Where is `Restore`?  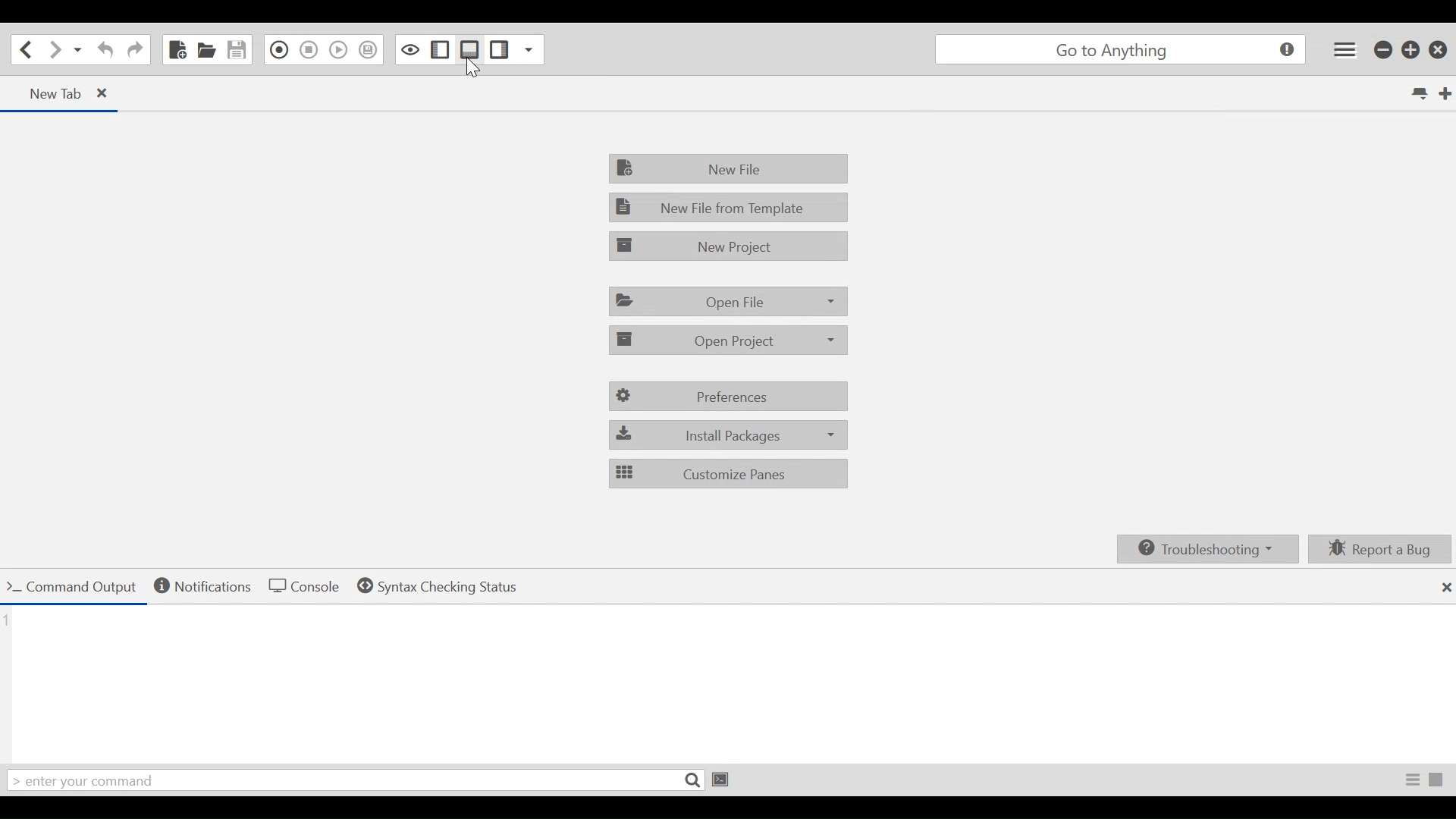
Restore is located at coordinates (1412, 50).